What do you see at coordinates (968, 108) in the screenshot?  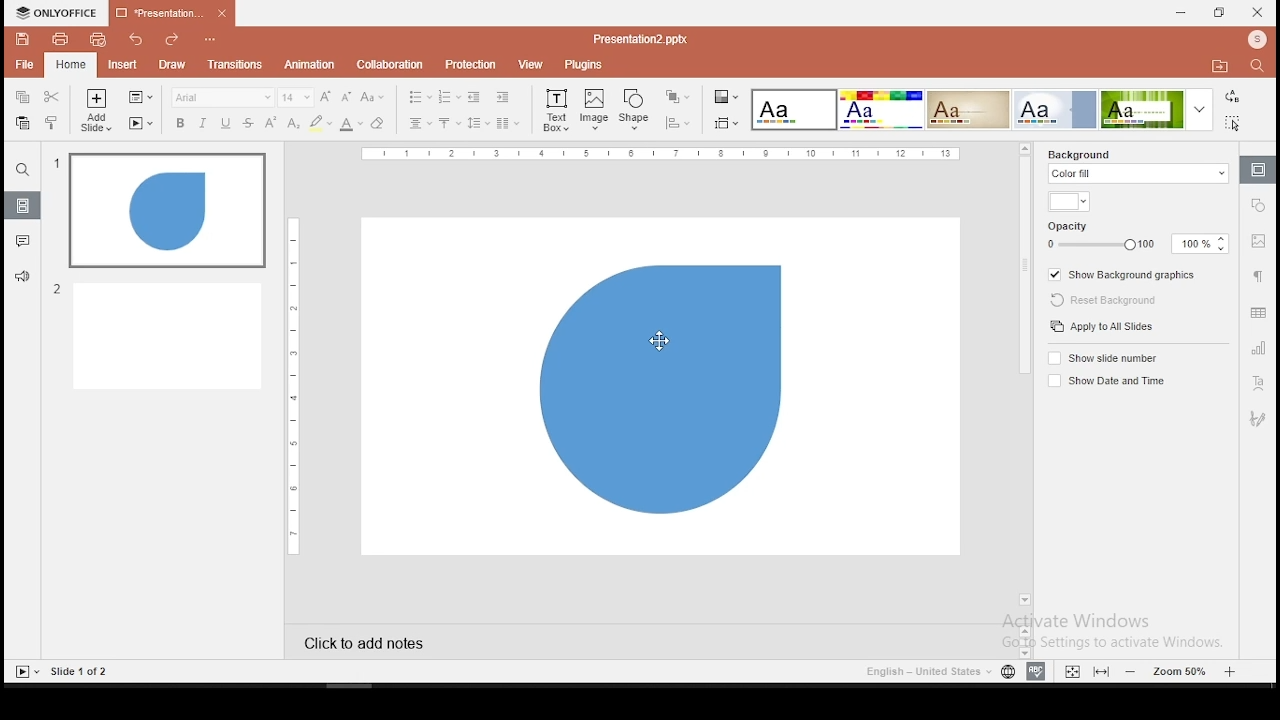 I see `theme` at bounding box center [968, 108].